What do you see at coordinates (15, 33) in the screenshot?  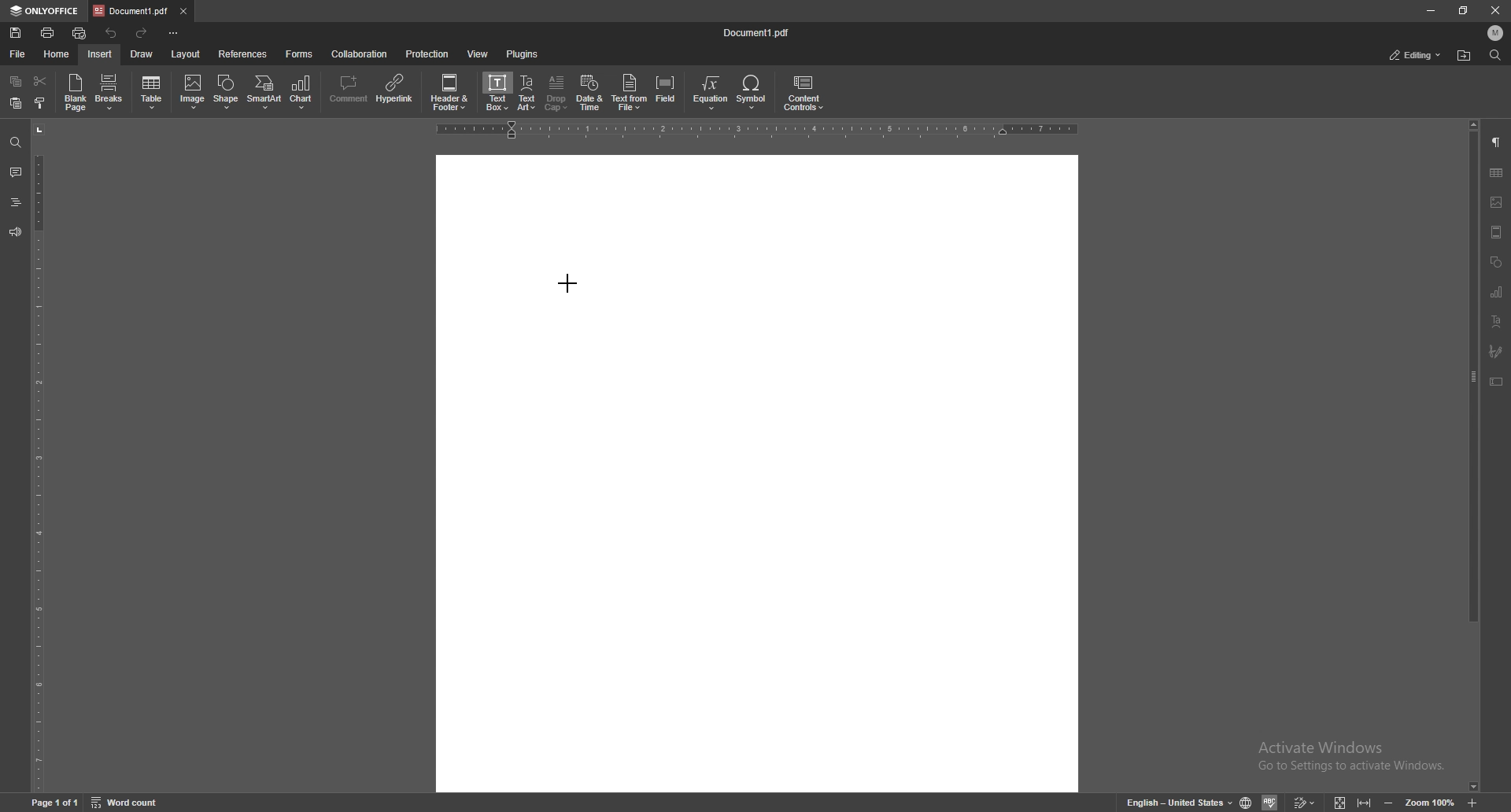 I see `save` at bounding box center [15, 33].